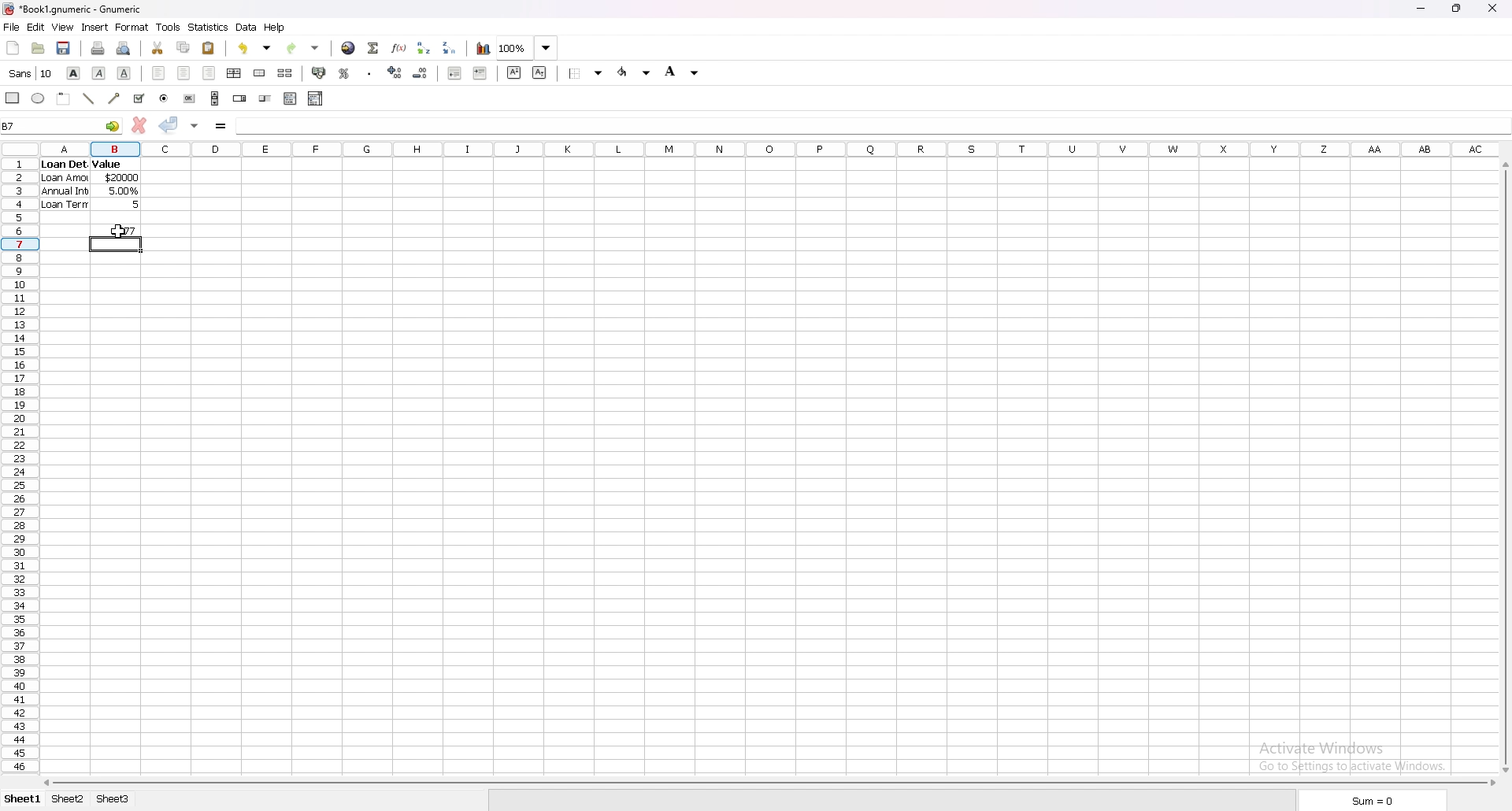 This screenshot has height=811, width=1512. Describe the element at coordinates (1505, 465) in the screenshot. I see `scroll bar` at that location.